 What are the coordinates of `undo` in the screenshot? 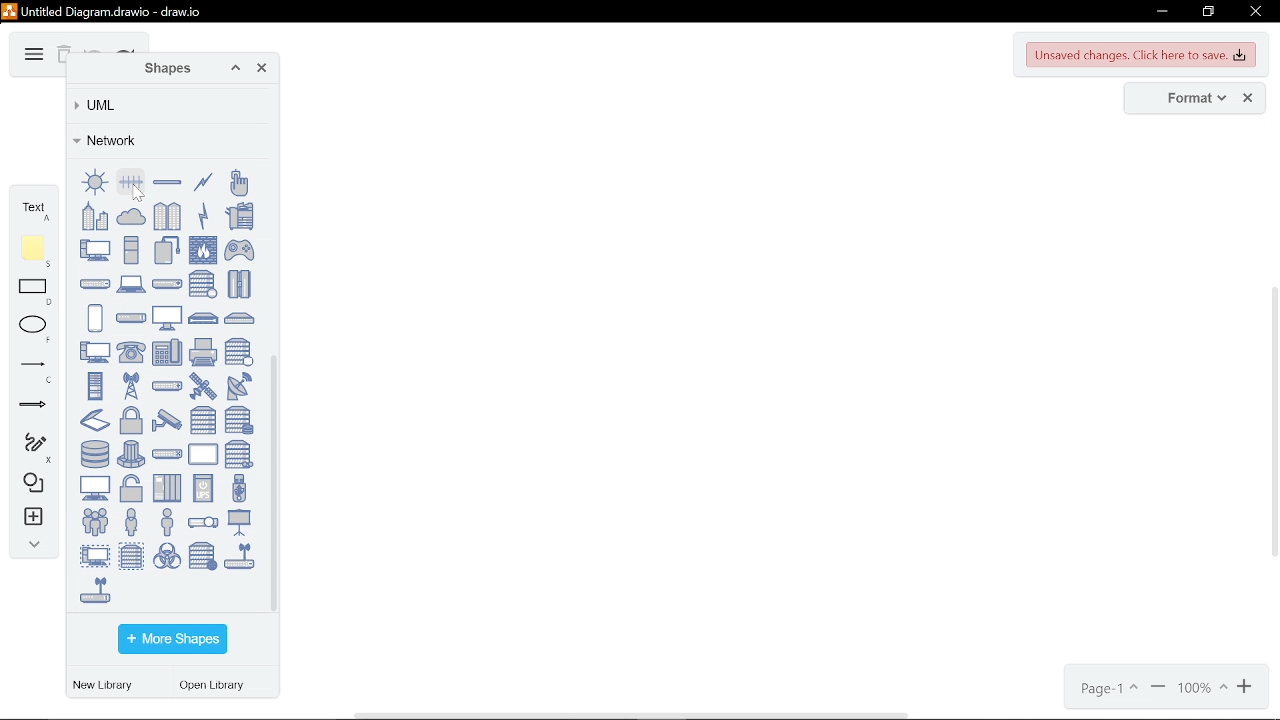 It's located at (94, 49).